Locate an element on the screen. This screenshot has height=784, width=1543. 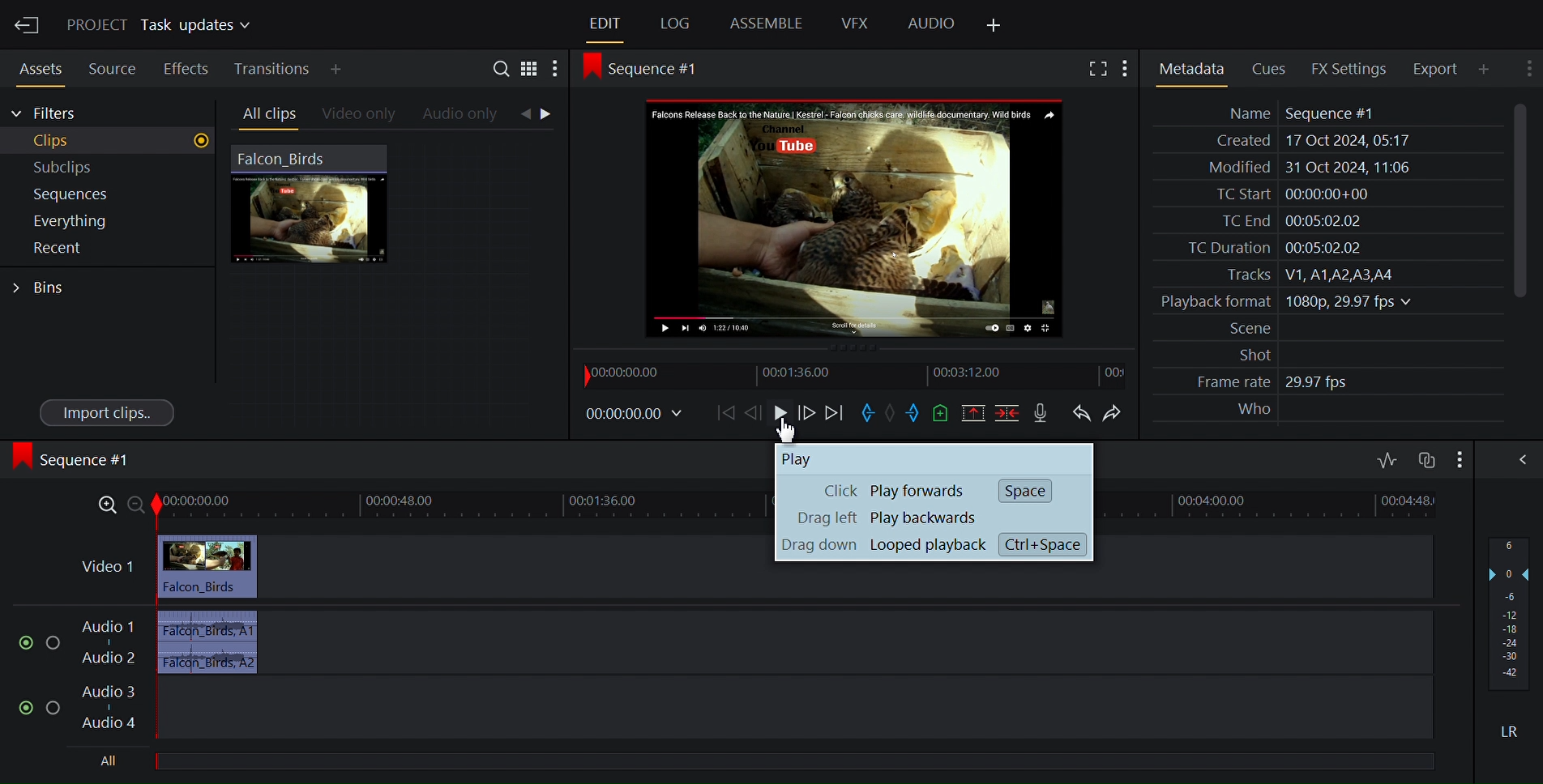
play is located at coordinates (819, 458).